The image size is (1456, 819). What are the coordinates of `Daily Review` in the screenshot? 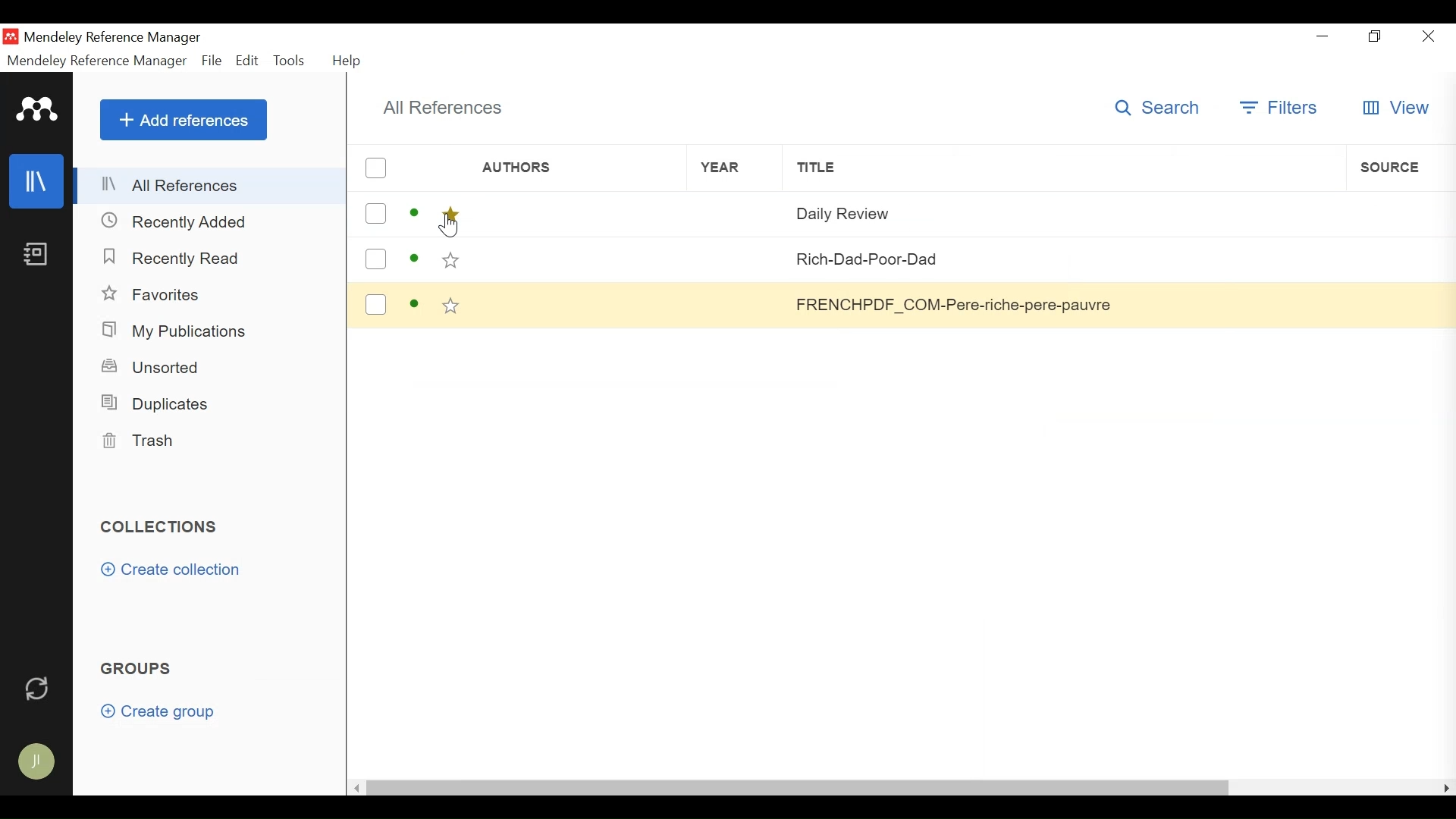 It's located at (958, 214).